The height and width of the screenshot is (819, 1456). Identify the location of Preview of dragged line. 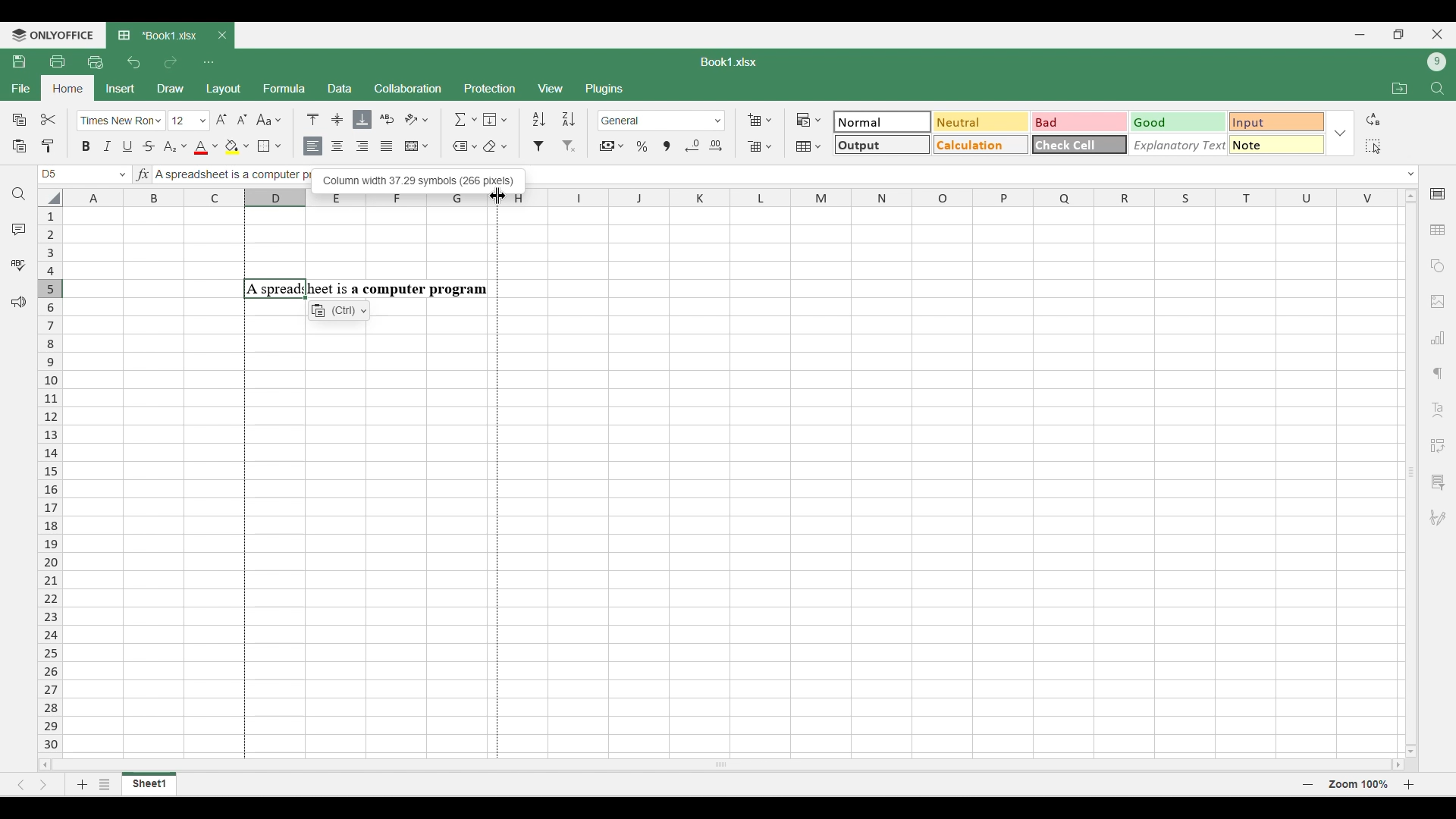
(497, 483).